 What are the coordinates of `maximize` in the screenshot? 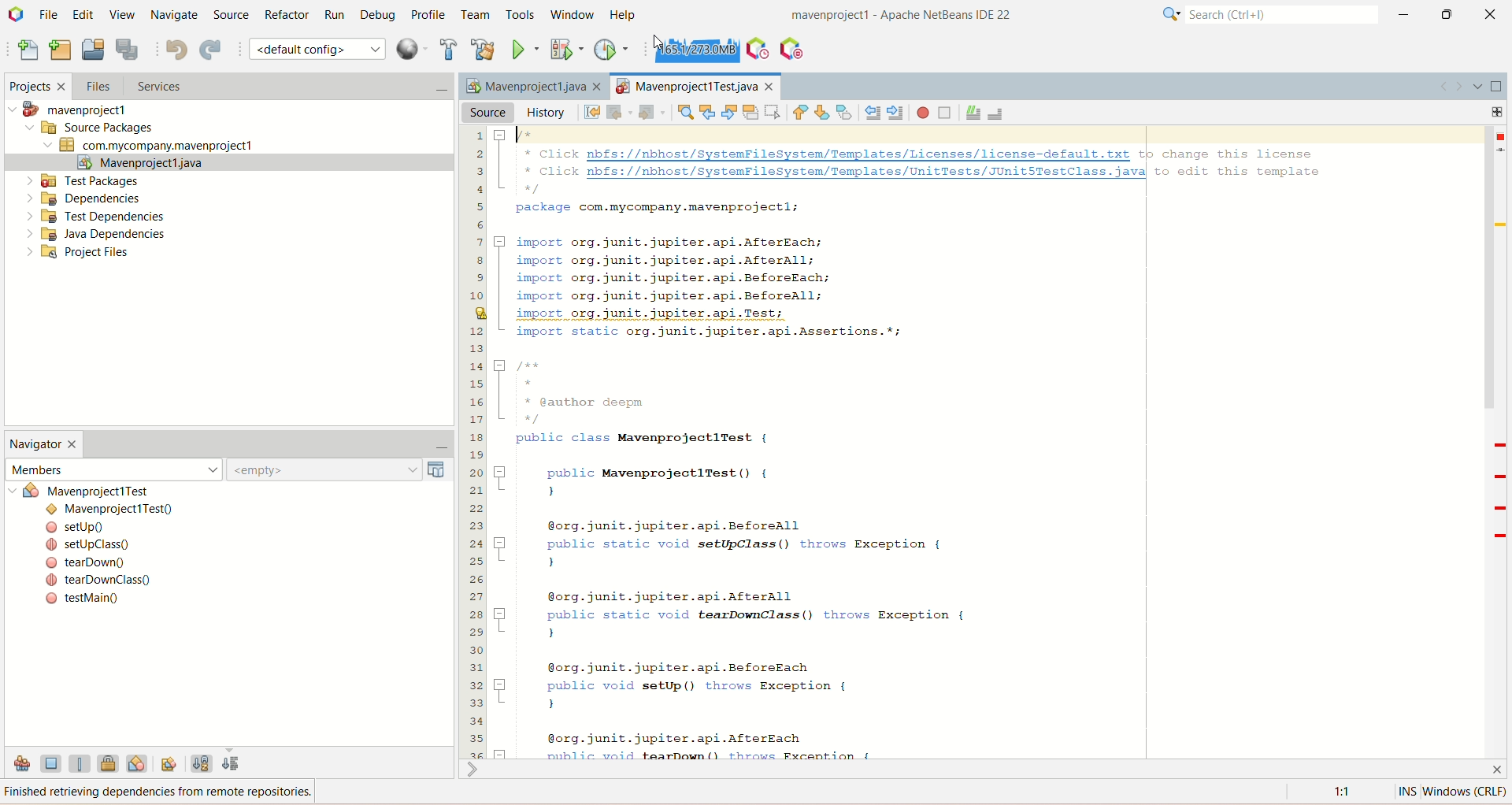 It's located at (1497, 87).